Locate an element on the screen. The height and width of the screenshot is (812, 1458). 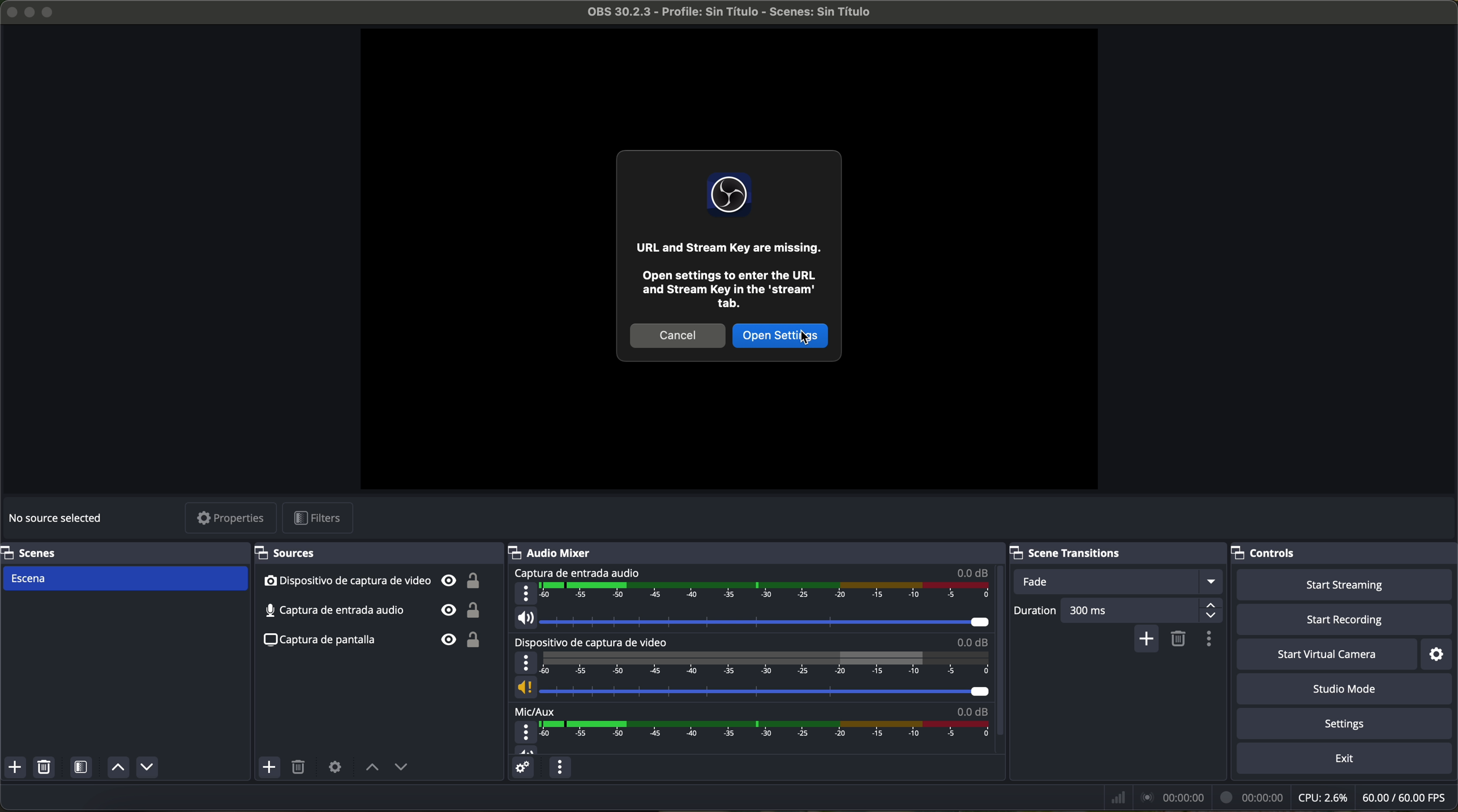
click on start streaming is located at coordinates (1345, 586).